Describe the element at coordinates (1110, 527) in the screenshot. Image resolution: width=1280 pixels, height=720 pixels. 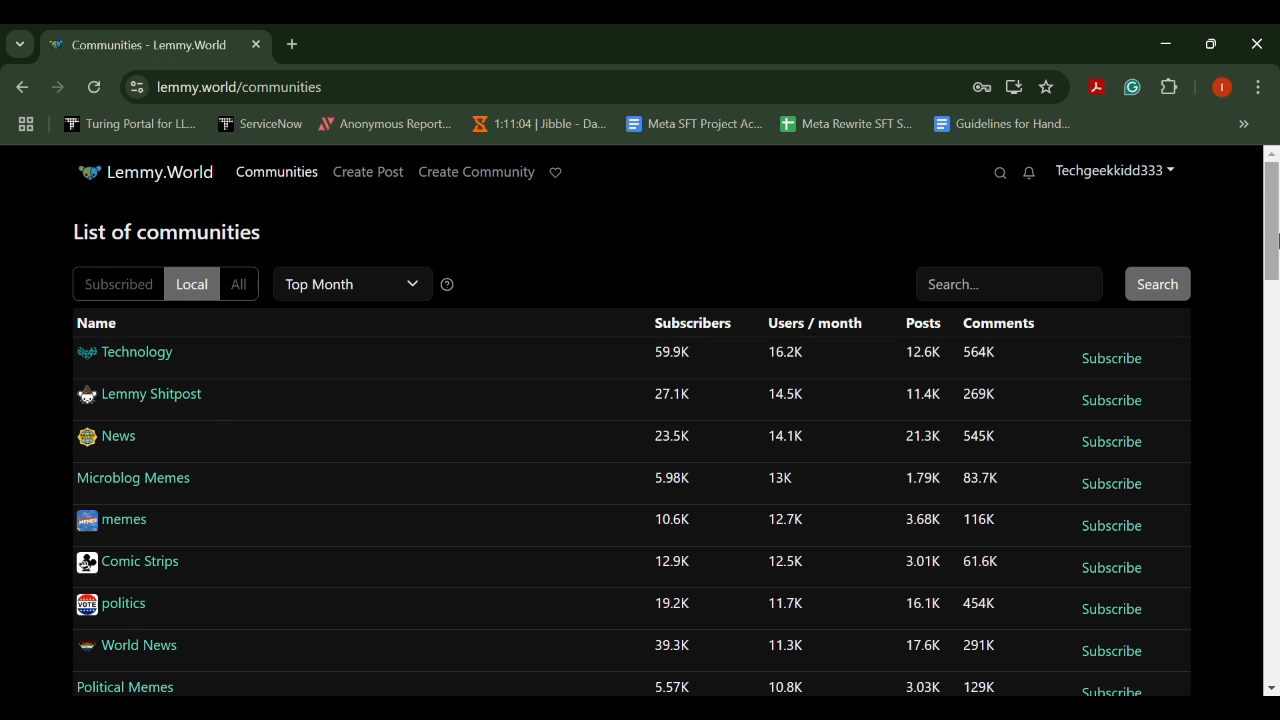
I see `Subscribe` at that location.